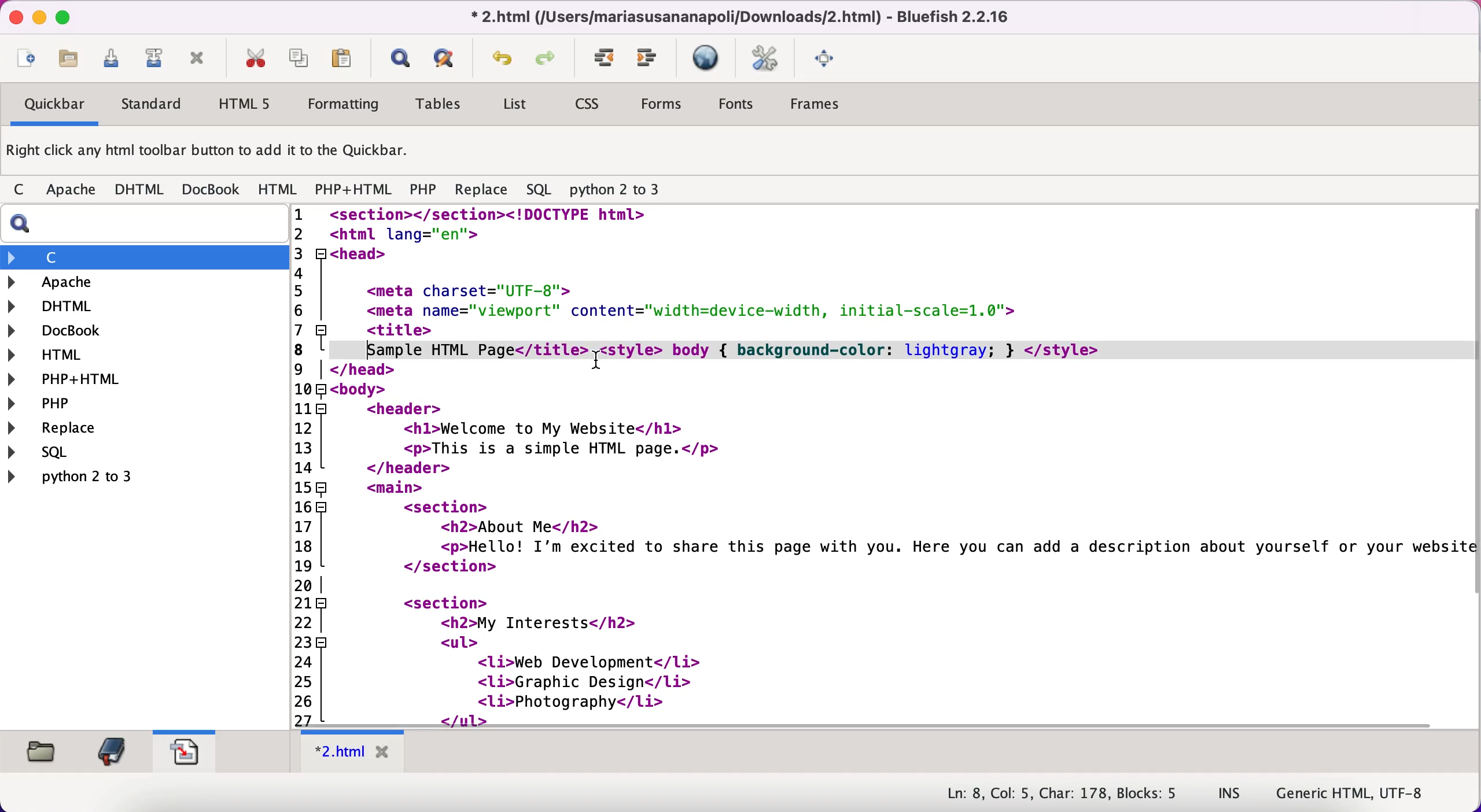 The width and height of the screenshot is (1481, 812). I want to click on indent, so click(605, 58).